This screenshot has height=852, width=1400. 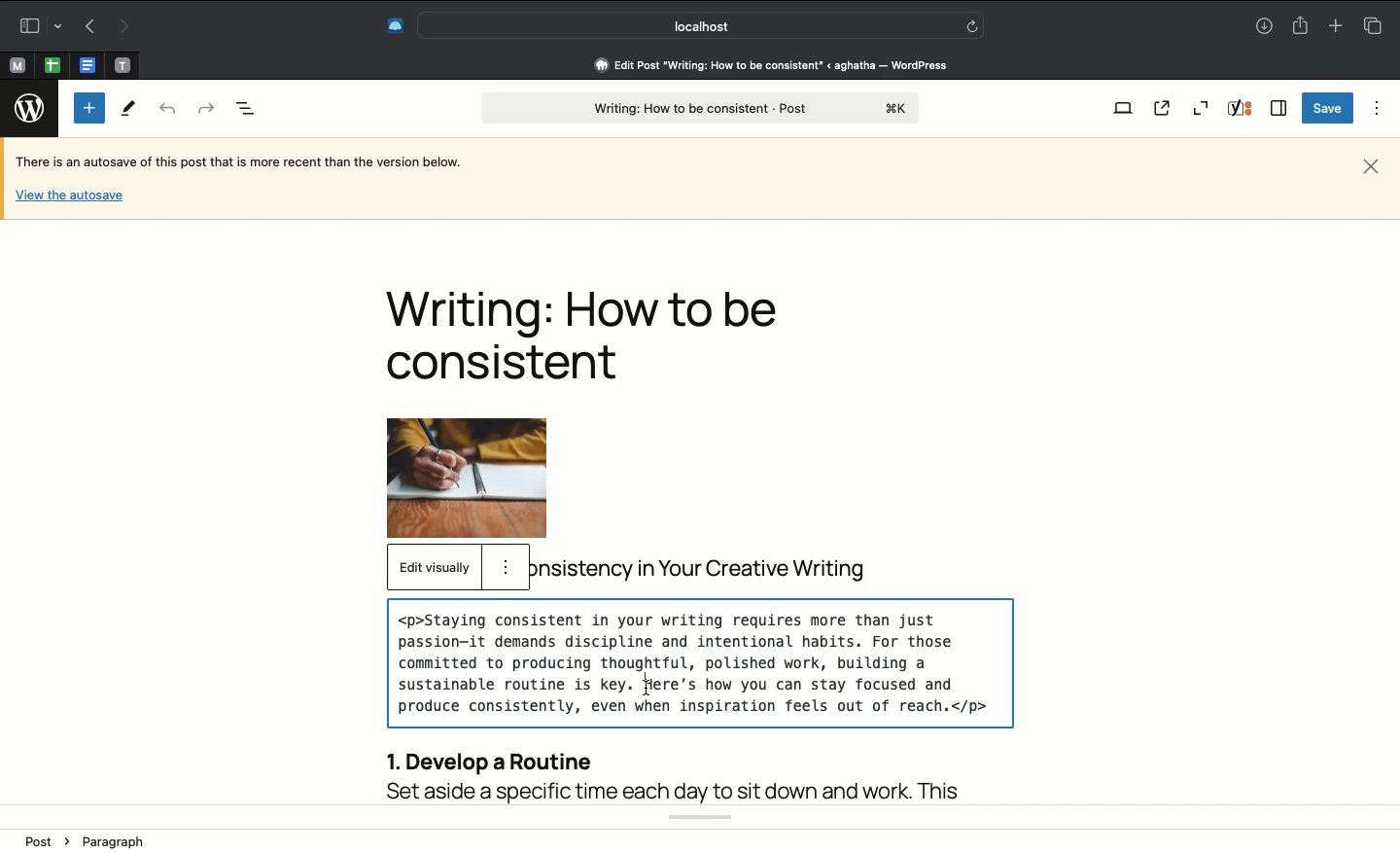 I want to click on Tabs, so click(x=1372, y=25).